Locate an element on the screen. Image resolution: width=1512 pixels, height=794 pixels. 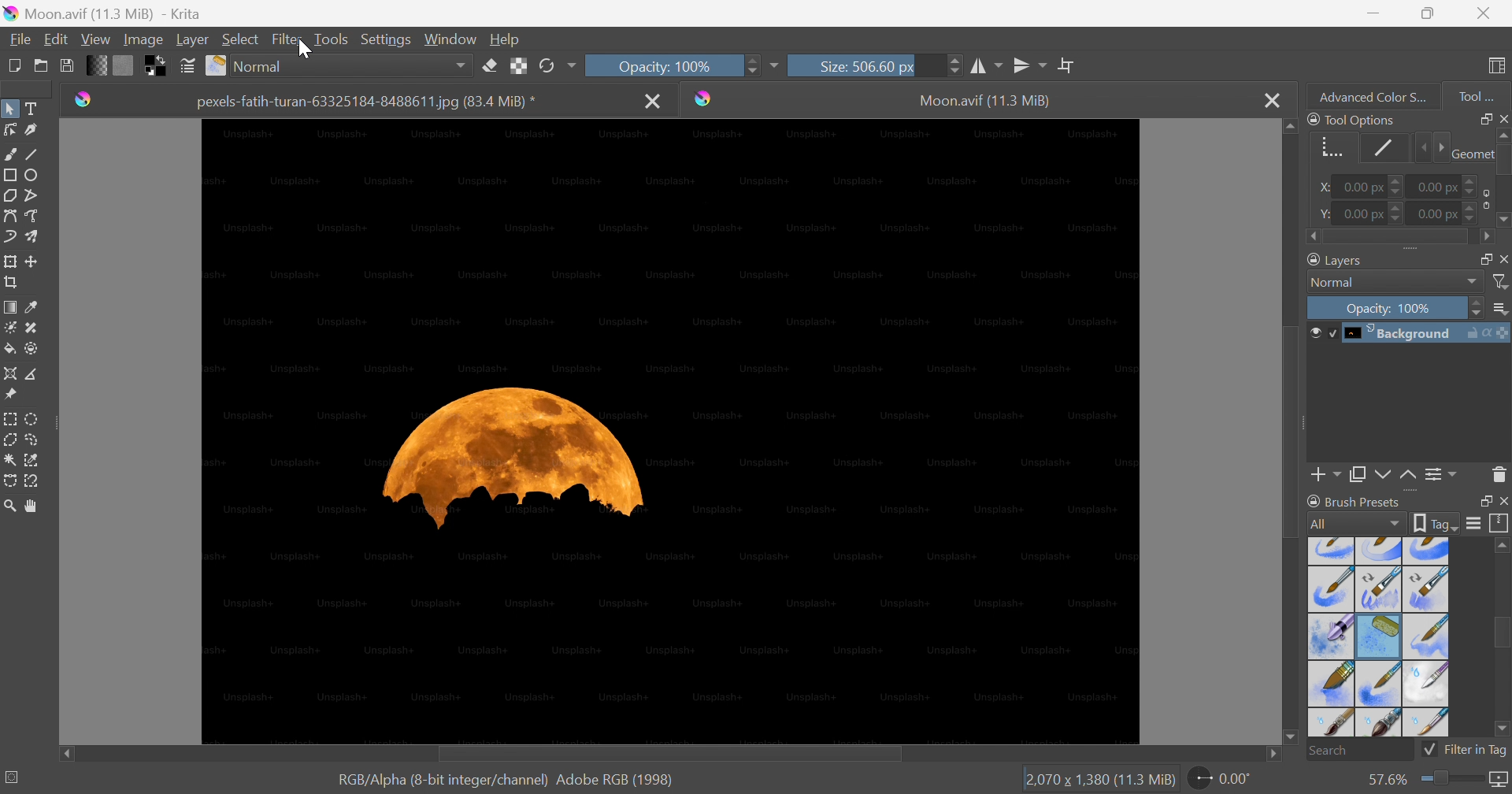
 is located at coordinates (1377, 13).